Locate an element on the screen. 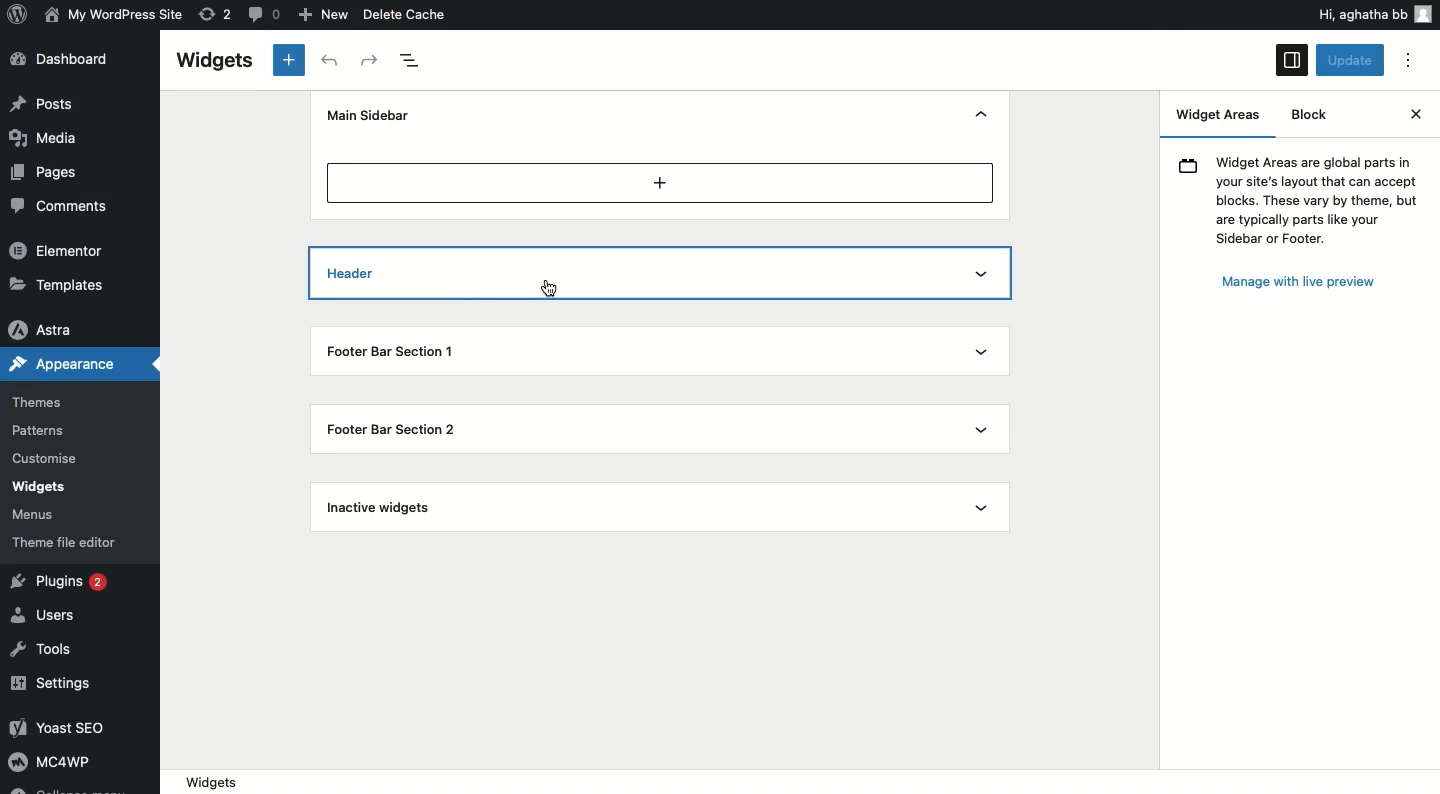 The width and height of the screenshot is (1440, 794). Media is located at coordinates (46, 136).